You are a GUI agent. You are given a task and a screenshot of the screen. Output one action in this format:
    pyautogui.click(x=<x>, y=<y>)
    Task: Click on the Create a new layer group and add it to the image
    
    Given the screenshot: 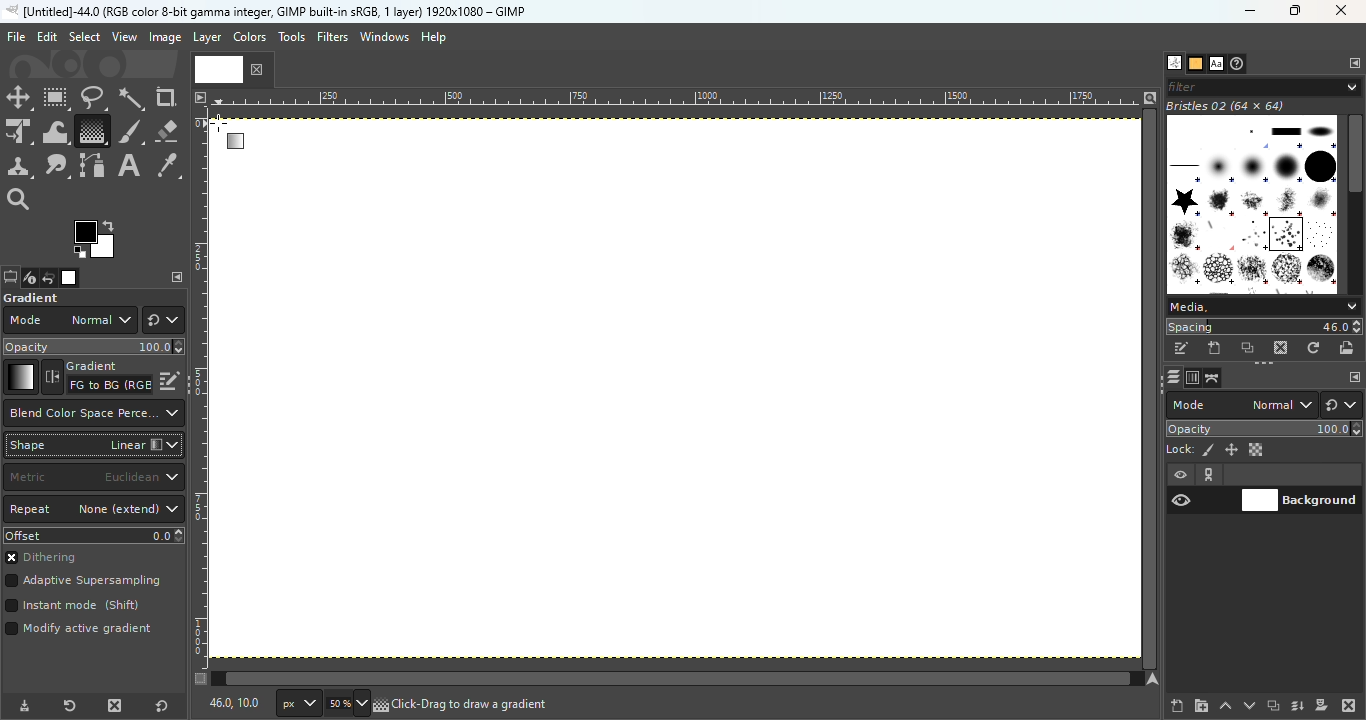 What is the action you would take?
    pyautogui.click(x=1201, y=706)
    